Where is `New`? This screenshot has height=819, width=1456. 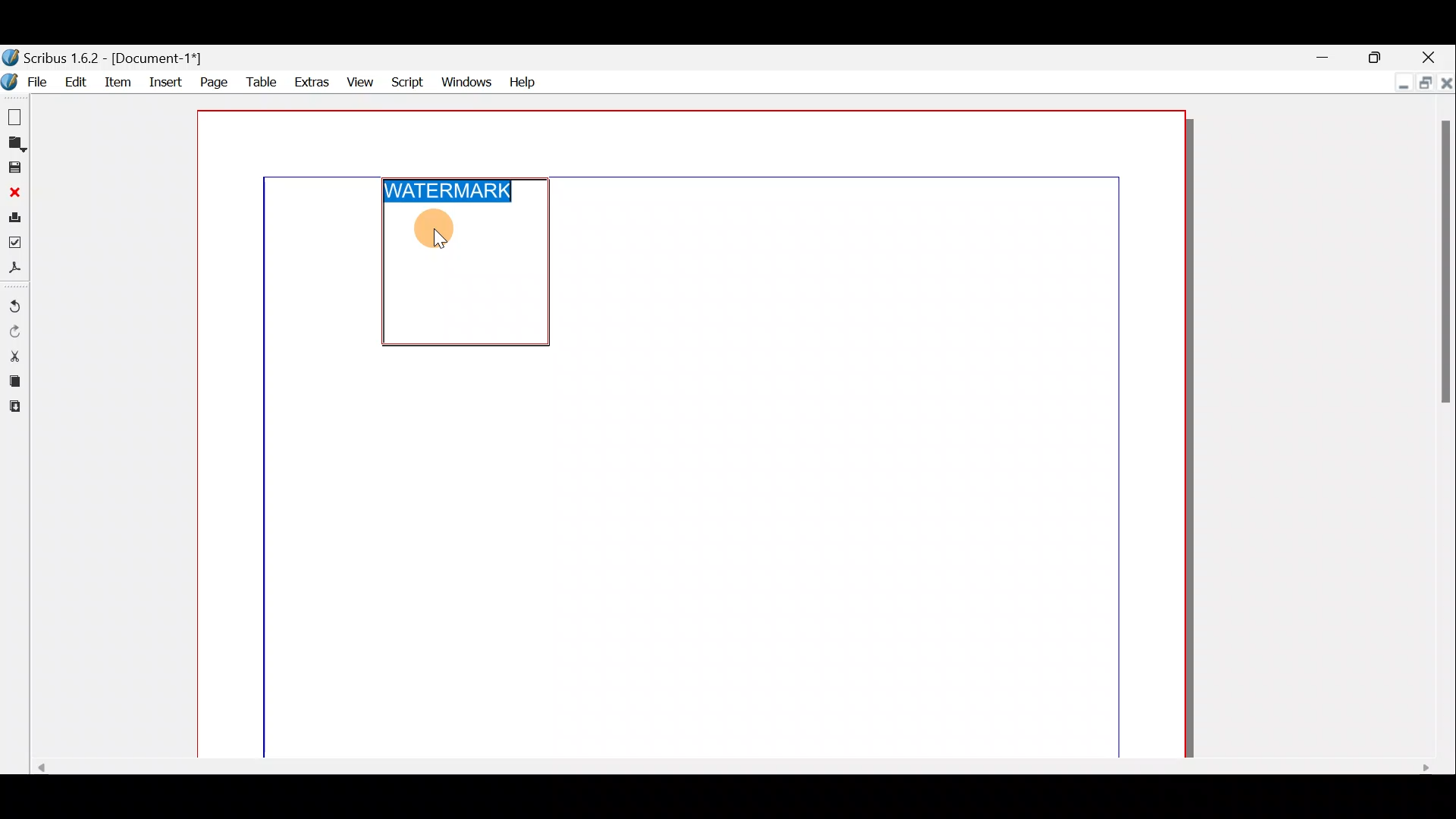 New is located at coordinates (13, 115).